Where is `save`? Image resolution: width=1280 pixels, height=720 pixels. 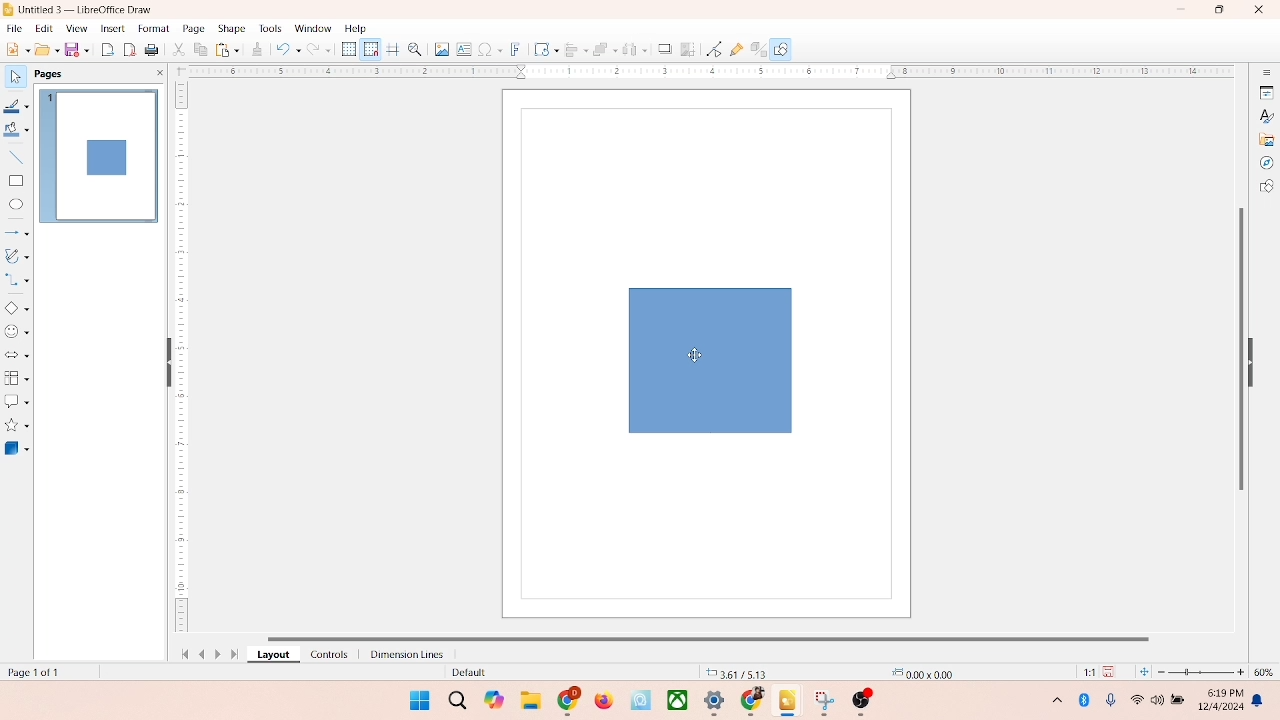 save is located at coordinates (1112, 671).